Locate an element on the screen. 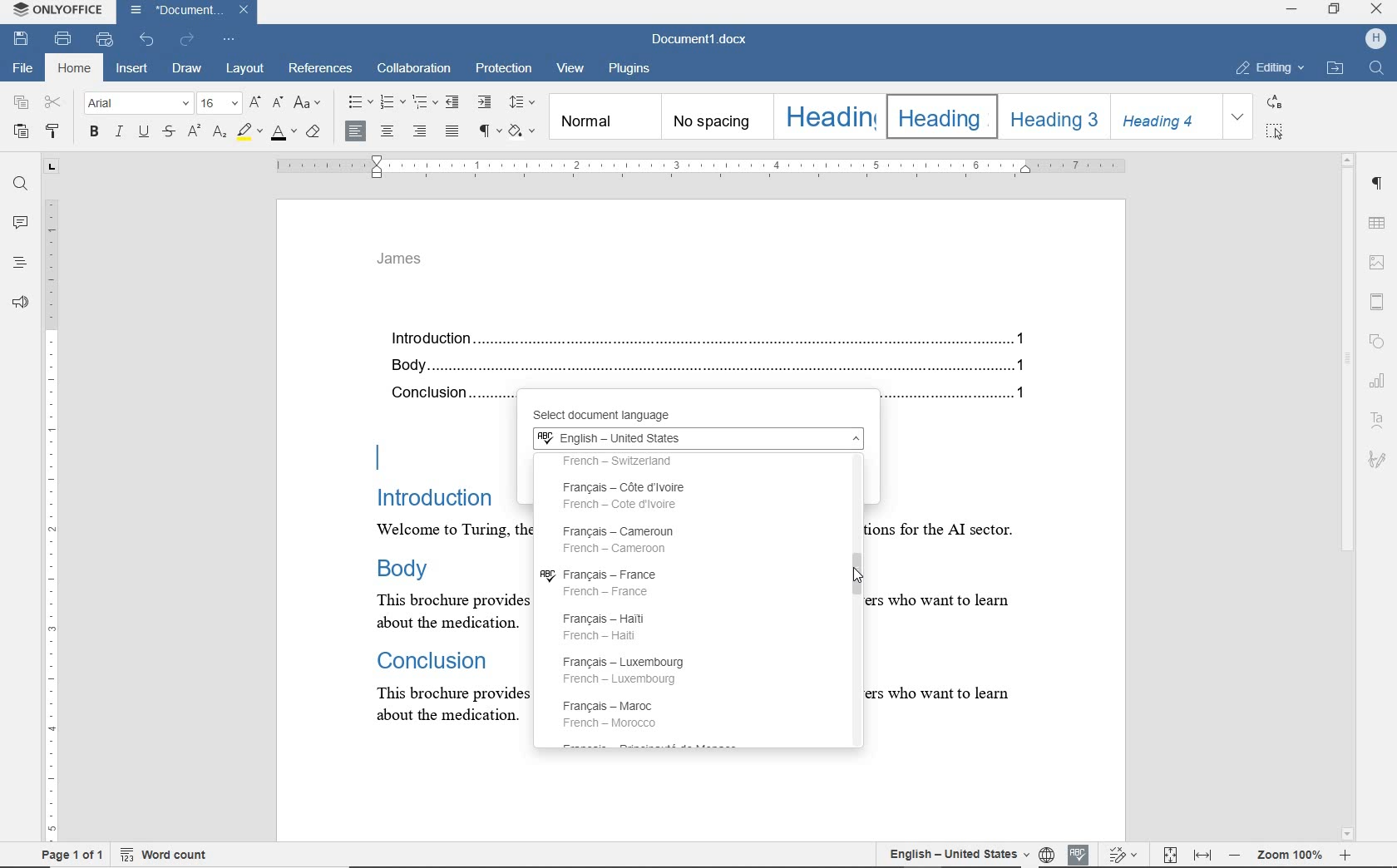 This screenshot has width=1397, height=868. superscript is located at coordinates (193, 131).